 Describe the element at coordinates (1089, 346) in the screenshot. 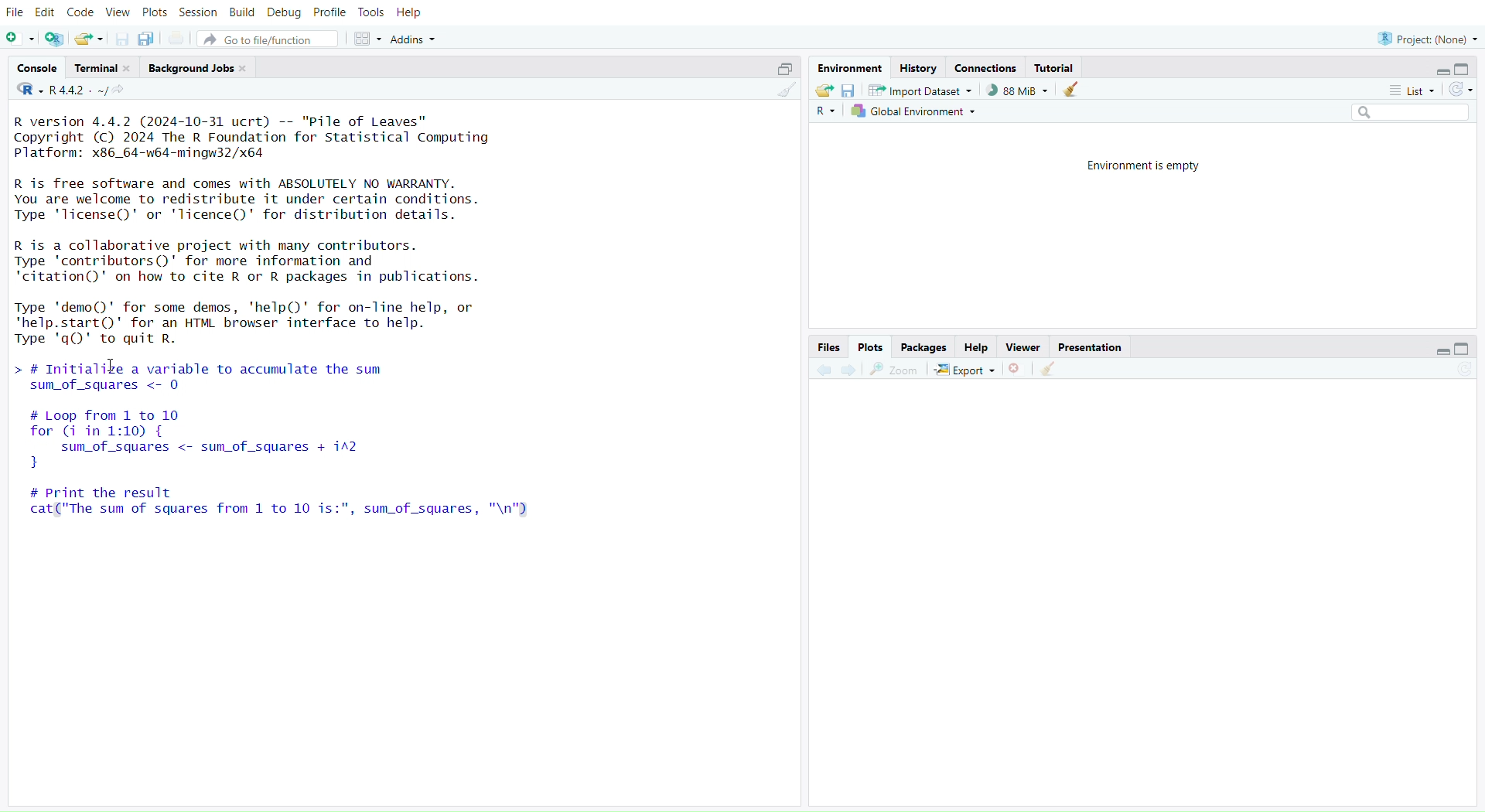

I see `presentation` at that location.